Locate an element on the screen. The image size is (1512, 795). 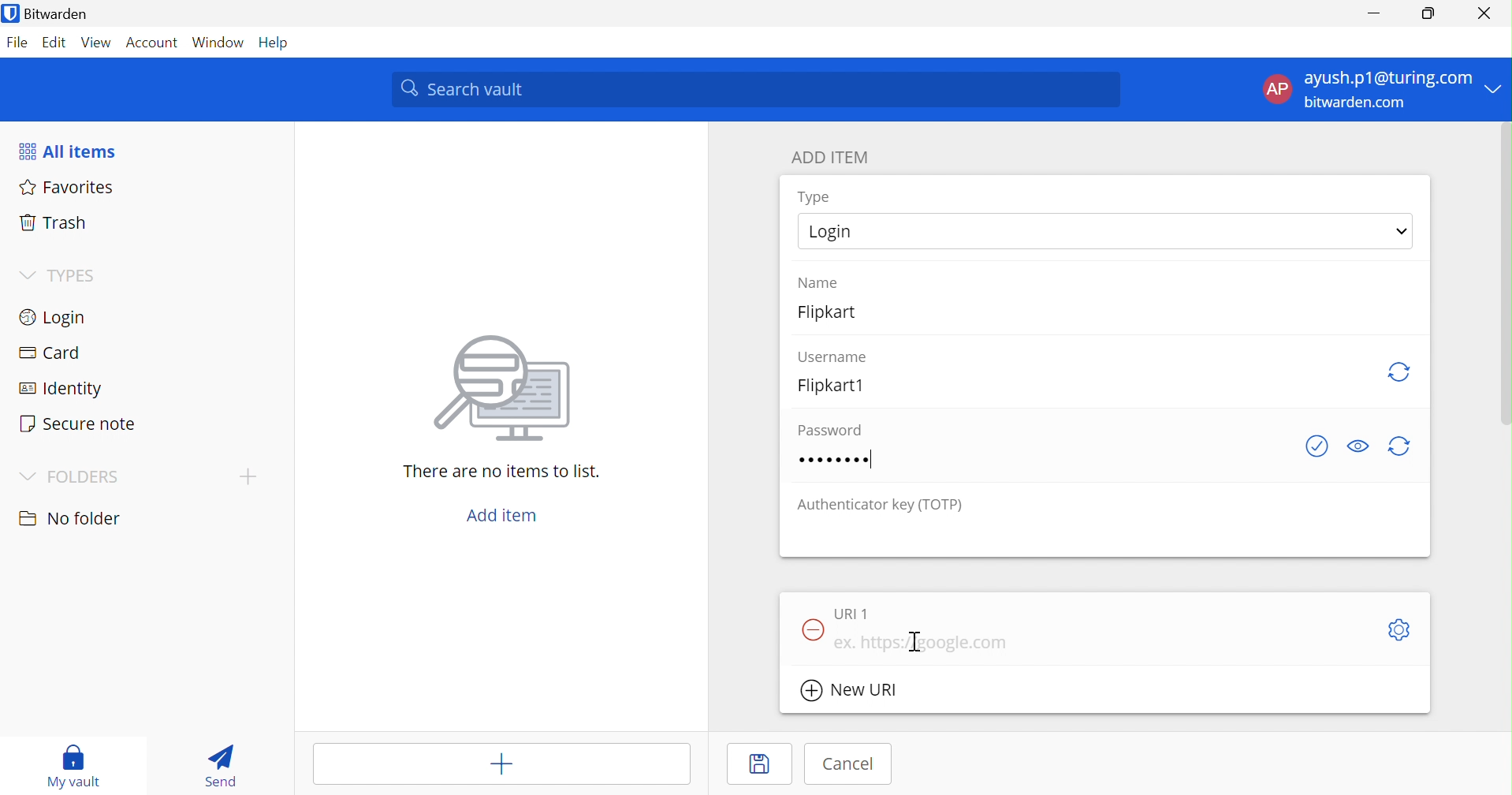
Edit is located at coordinates (51, 42).